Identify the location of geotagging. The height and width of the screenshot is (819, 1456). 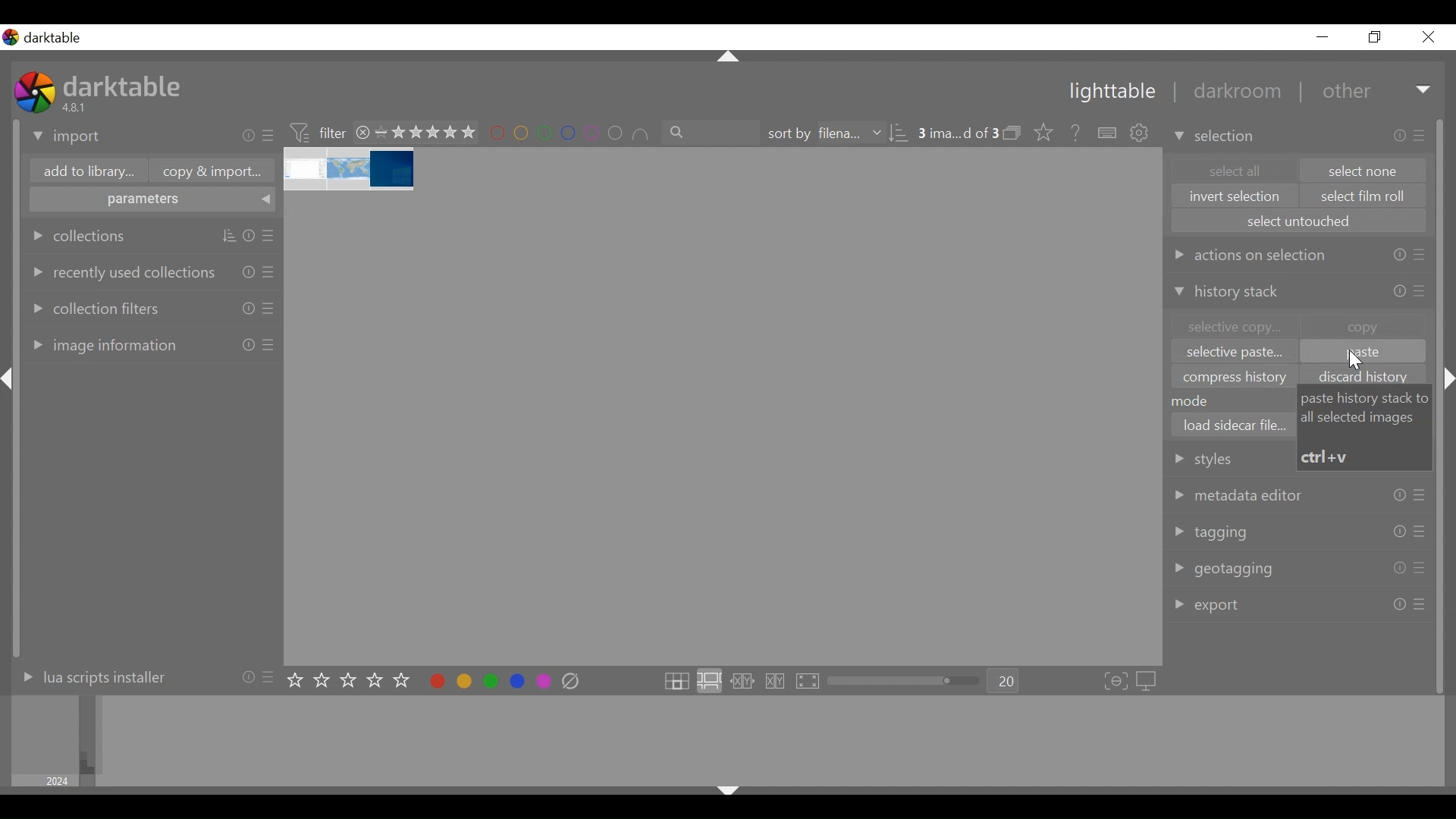
(1226, 570).